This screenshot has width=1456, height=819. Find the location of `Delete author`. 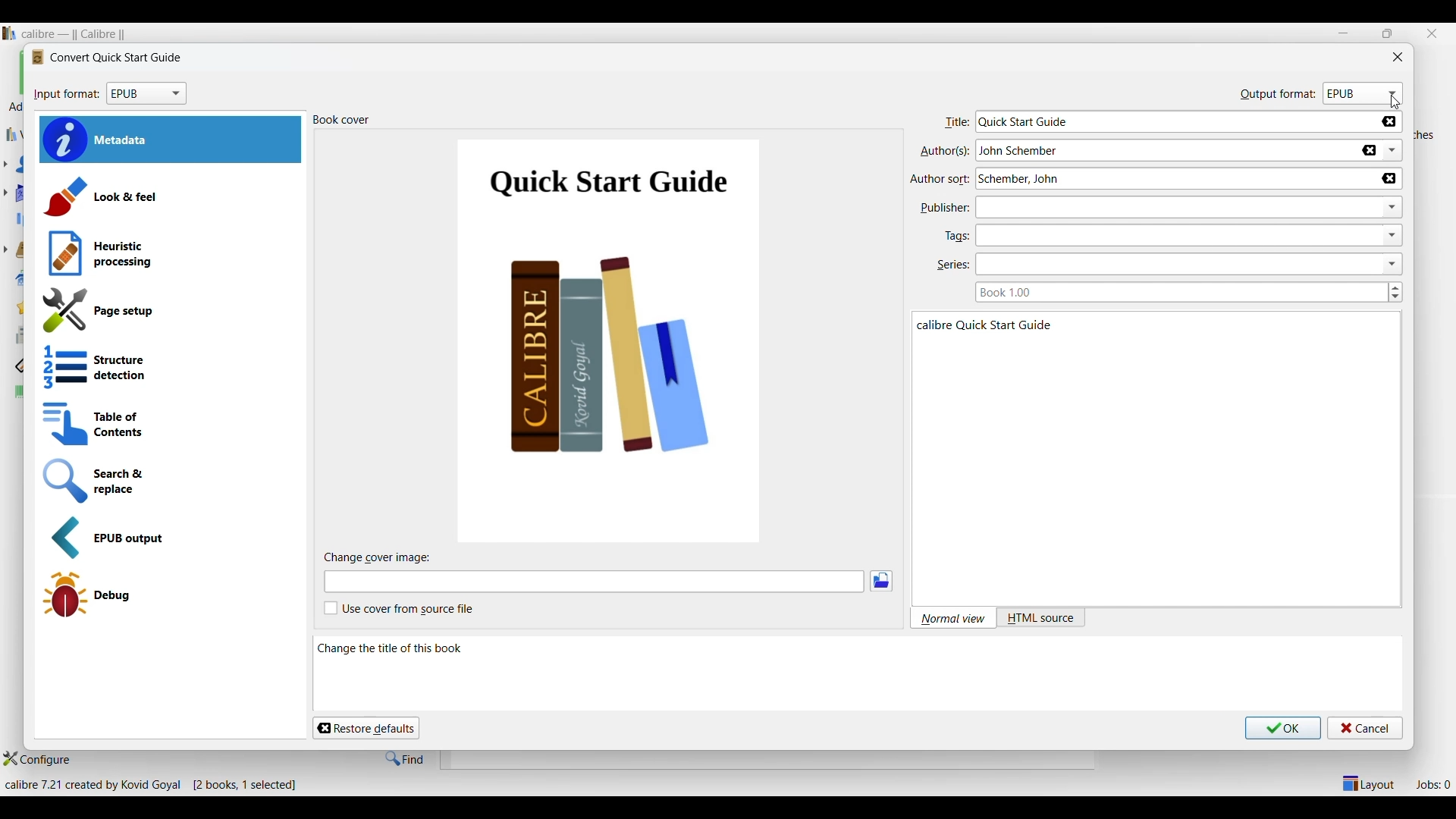

Delete author is located at coordinates (1370, 150).